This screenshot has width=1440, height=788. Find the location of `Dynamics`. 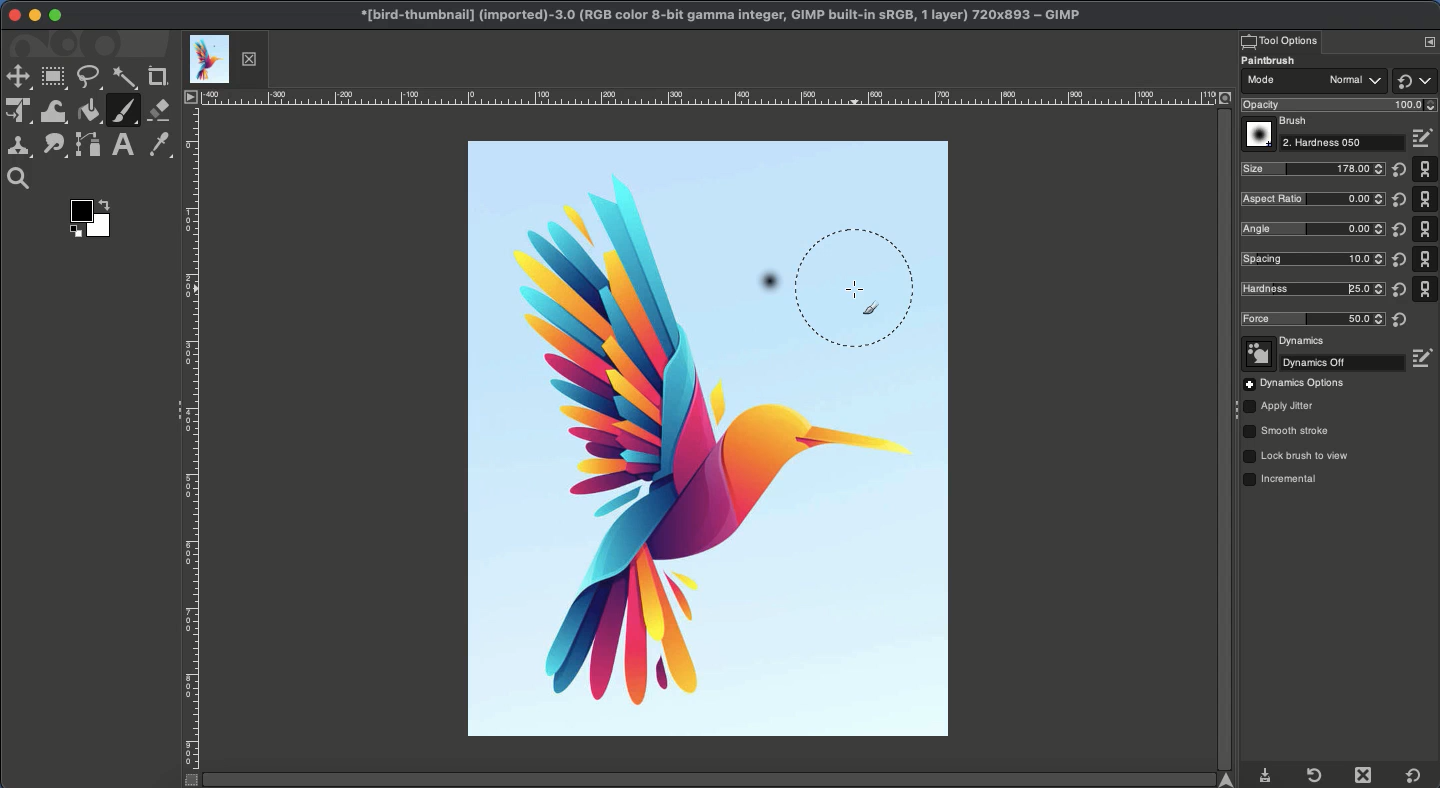

Dynamics is located at coordinates (1286, 342).